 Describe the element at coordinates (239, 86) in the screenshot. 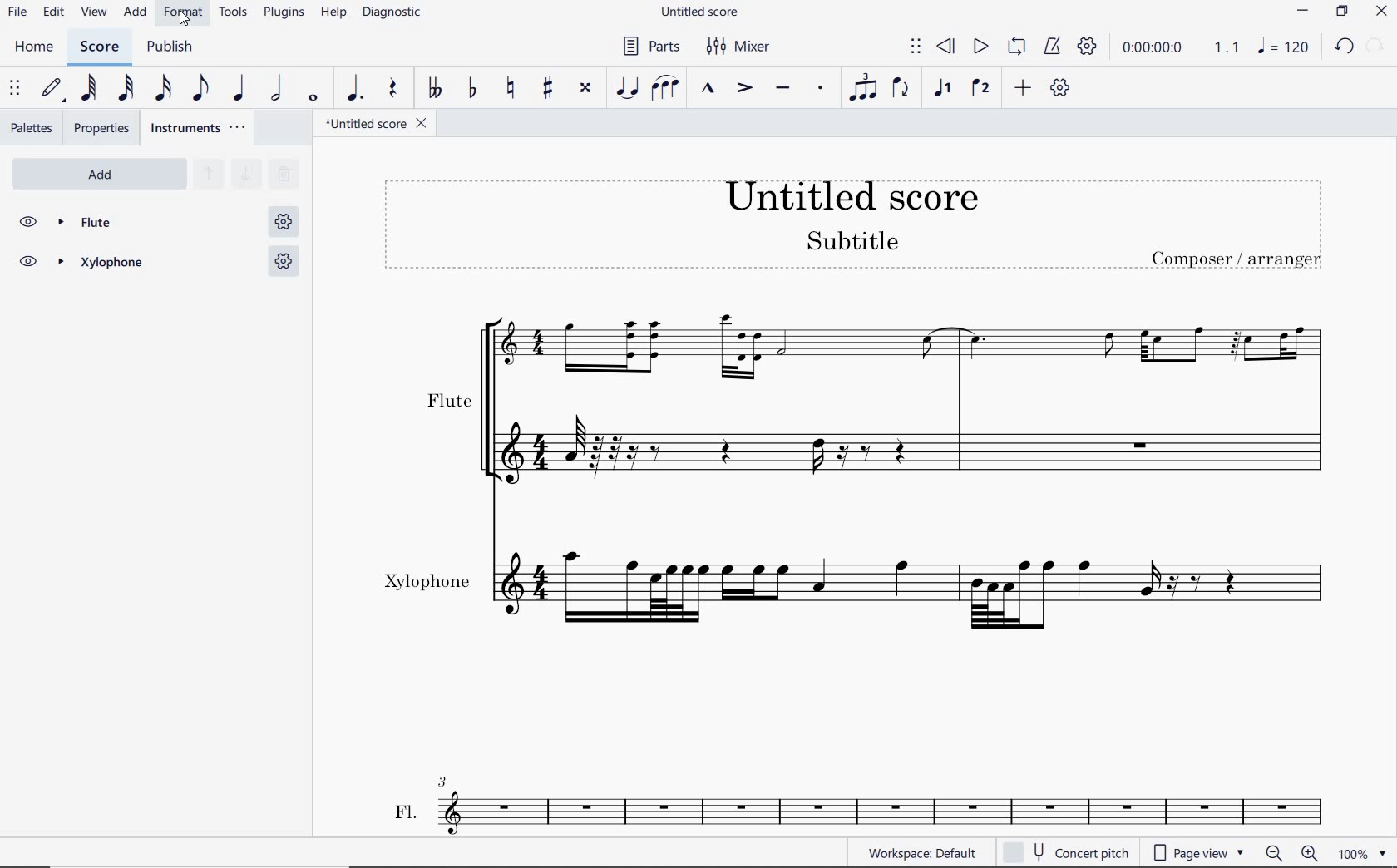

I see `QUARTER NOTE` at that location.